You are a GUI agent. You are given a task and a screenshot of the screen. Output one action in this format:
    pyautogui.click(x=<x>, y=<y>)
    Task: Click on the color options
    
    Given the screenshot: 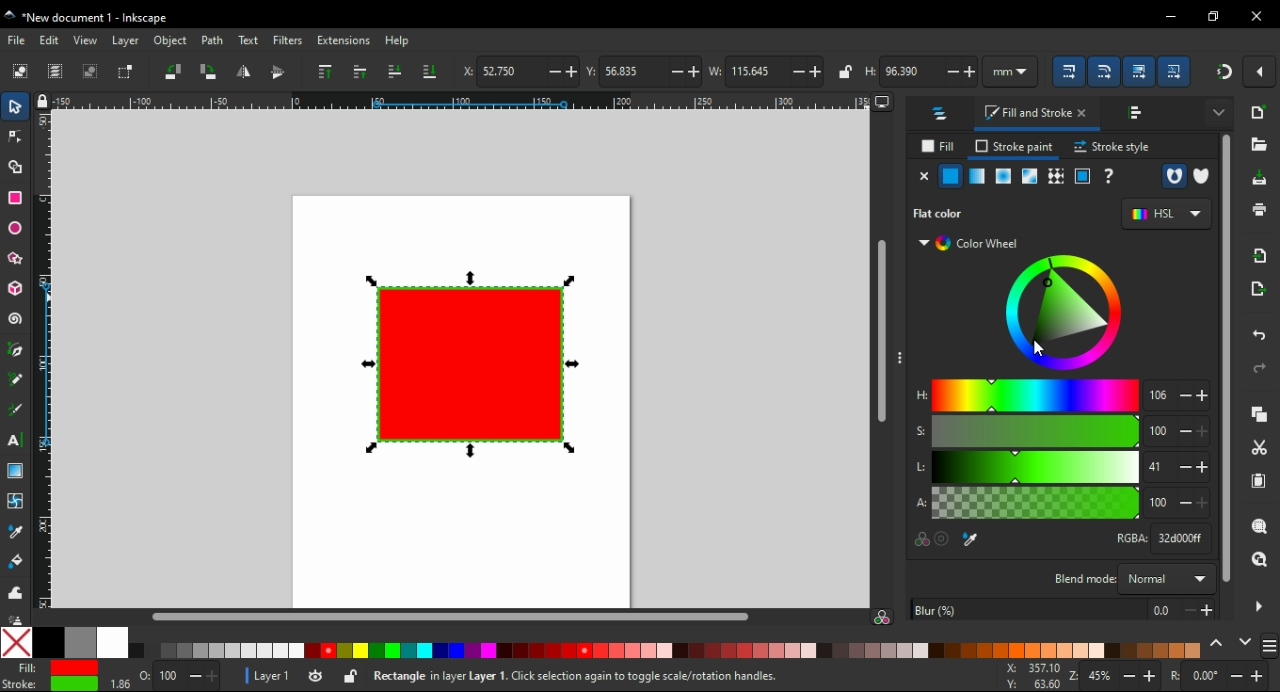 What is the action you would take?
    pyautogui.click(x=600, y=643)
    